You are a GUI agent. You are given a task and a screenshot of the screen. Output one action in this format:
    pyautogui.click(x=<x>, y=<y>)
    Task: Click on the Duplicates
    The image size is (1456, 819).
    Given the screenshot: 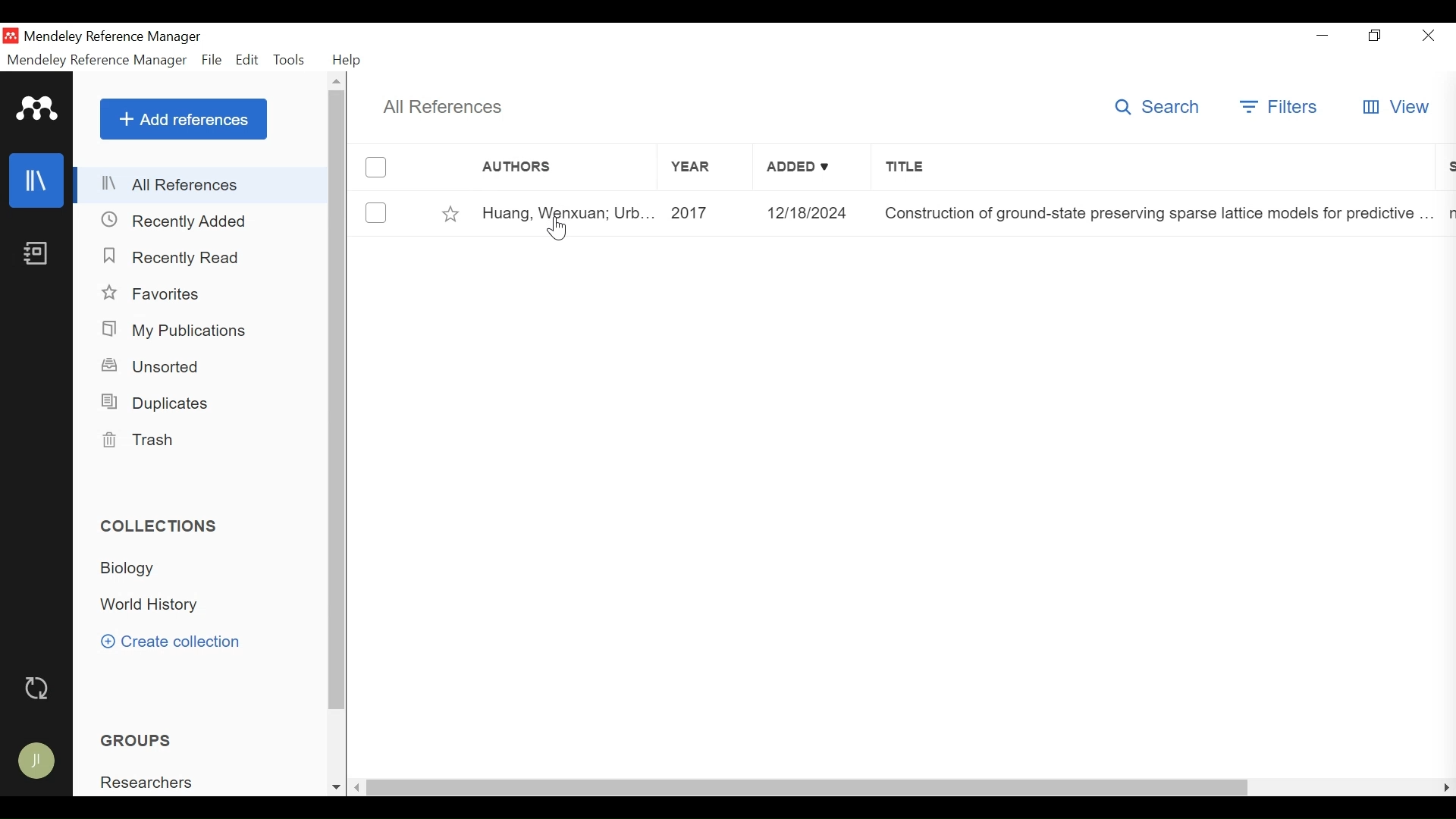 What is the action you would take?
    pyautogui.click(x=158, y=403)
    